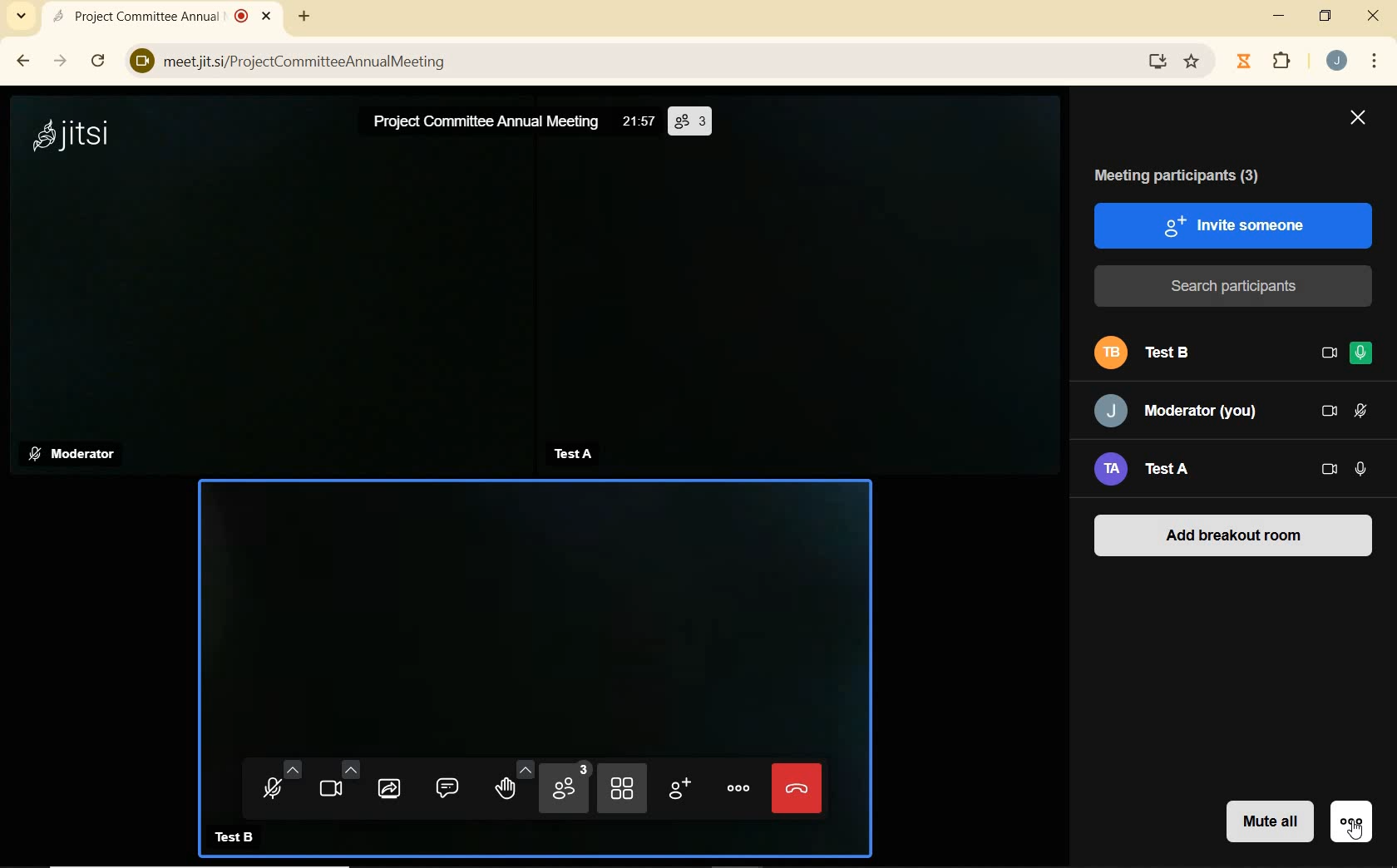  I want to click on FORWARD, so click(62, 62).